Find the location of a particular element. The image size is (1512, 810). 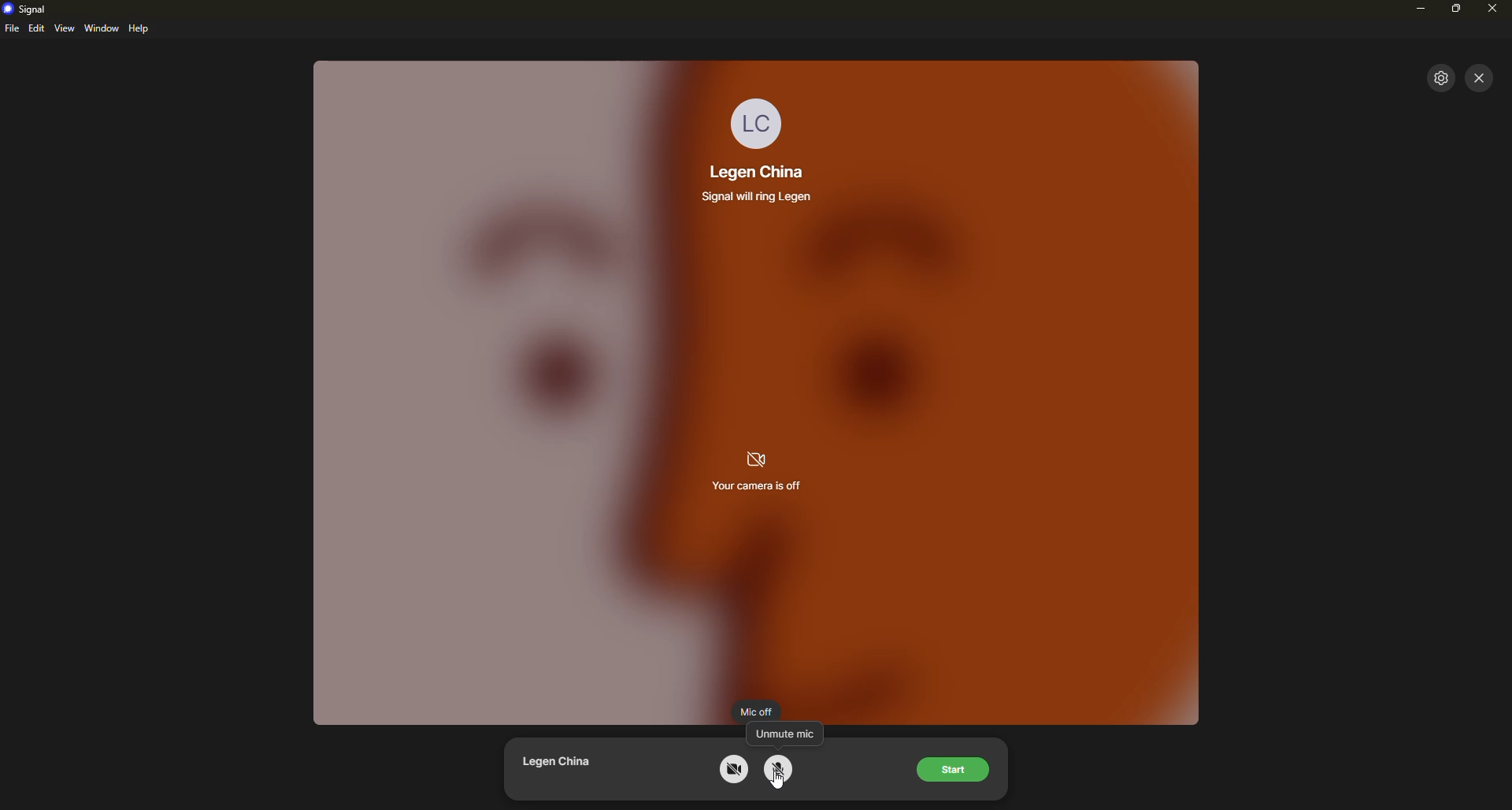

contact voice call is located at coordinates (564, 767).